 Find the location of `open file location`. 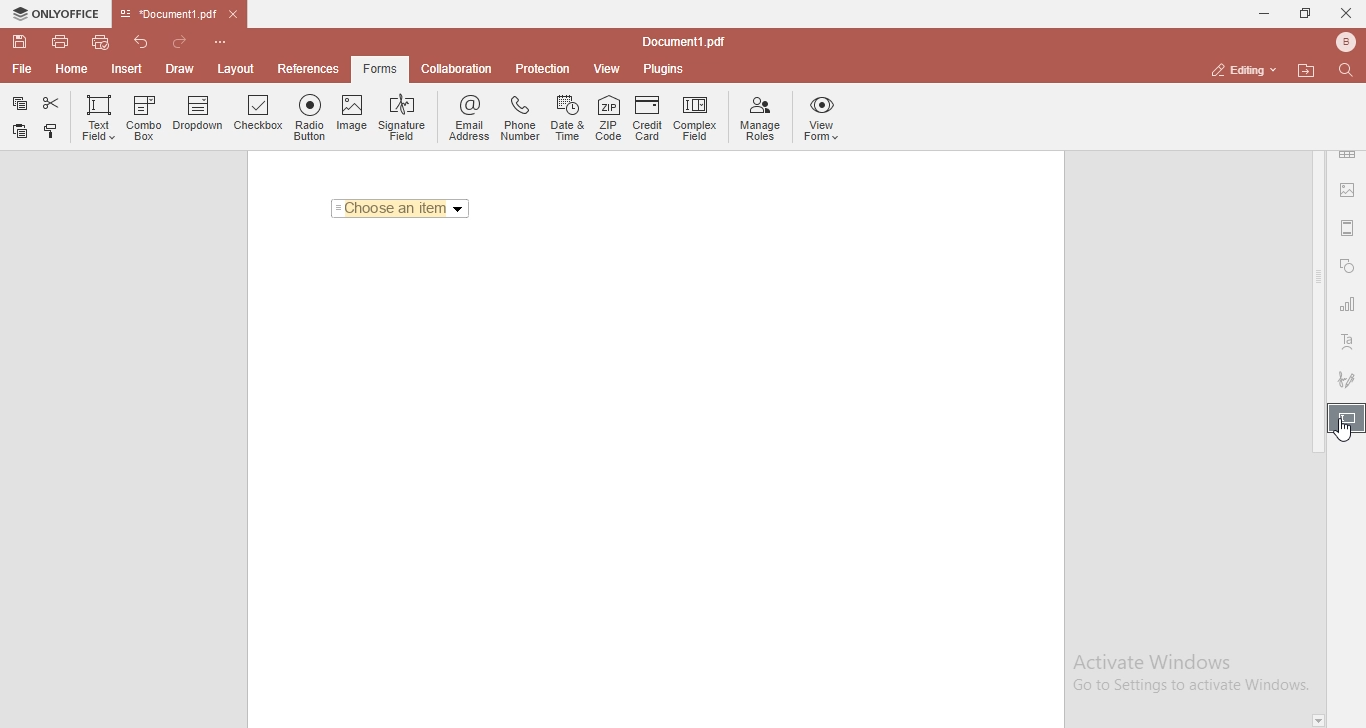

open file location is located at coordinates (1309, 70).